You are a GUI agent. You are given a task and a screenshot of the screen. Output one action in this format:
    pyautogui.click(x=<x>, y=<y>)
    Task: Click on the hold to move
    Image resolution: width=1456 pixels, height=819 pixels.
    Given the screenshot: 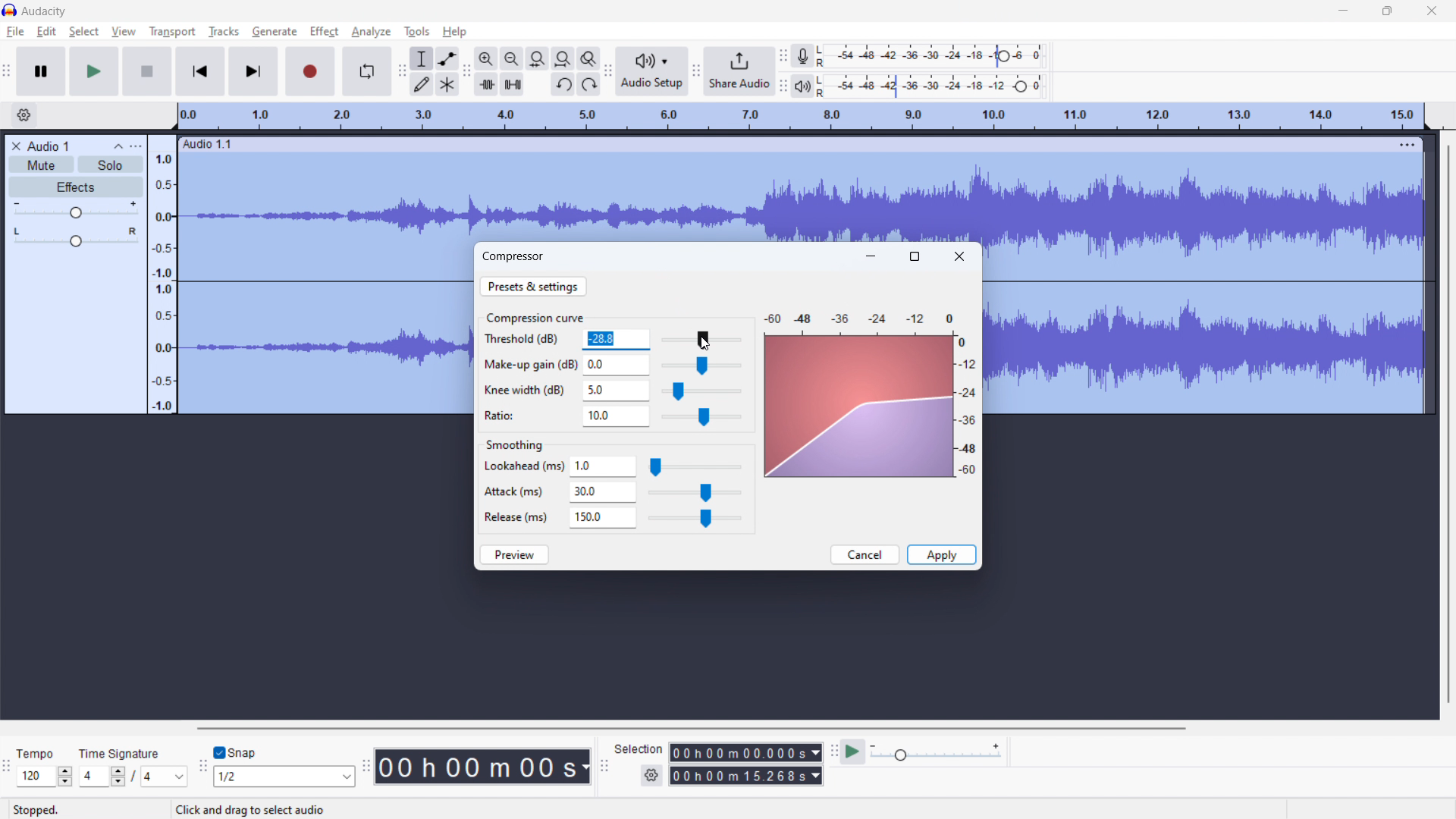 What is the action you would take?
    pyautogui.click(x=789, y=143)
    